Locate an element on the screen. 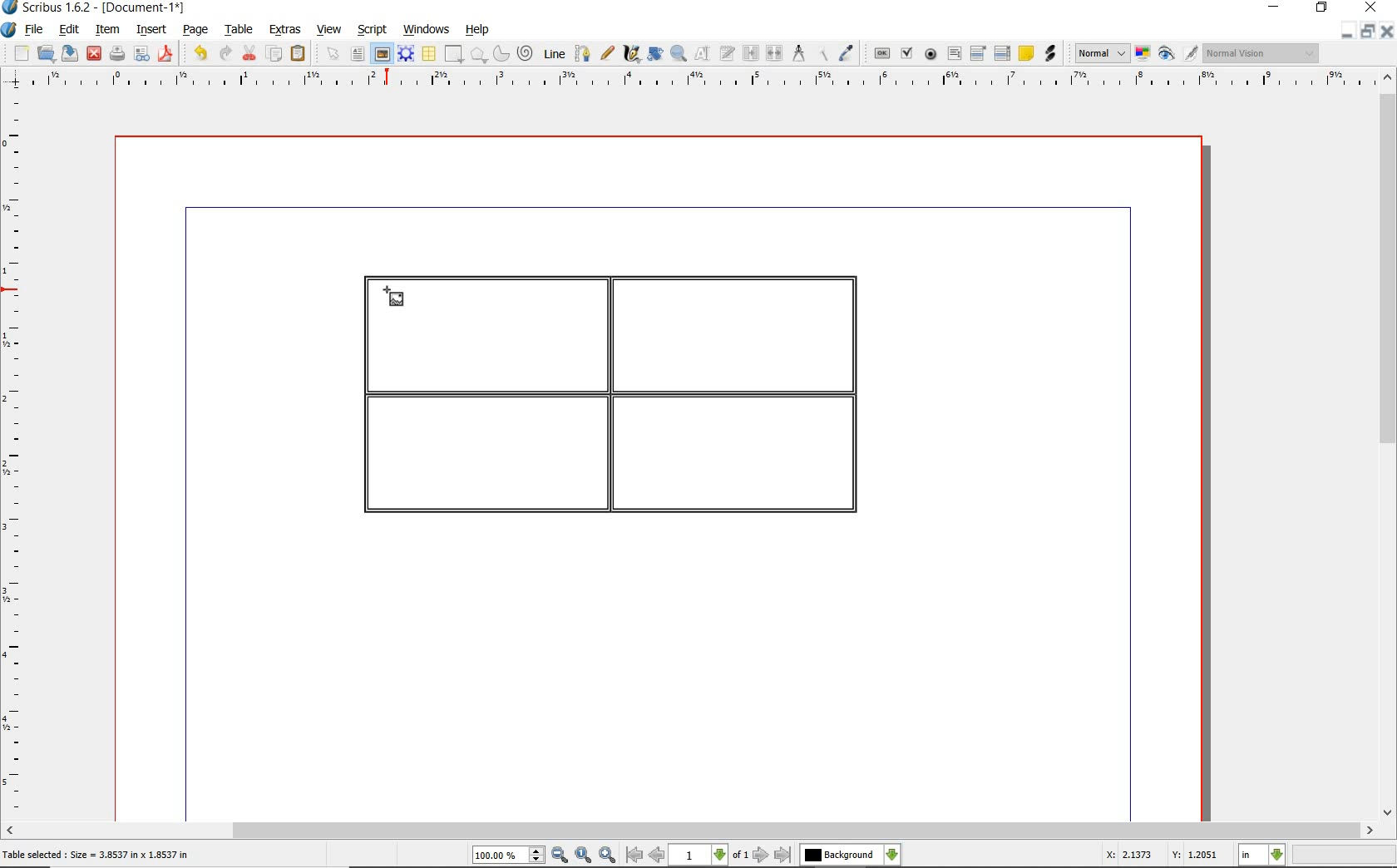 This screenshot has width=1397, height=868. insert is located at coordinates (150, 31).